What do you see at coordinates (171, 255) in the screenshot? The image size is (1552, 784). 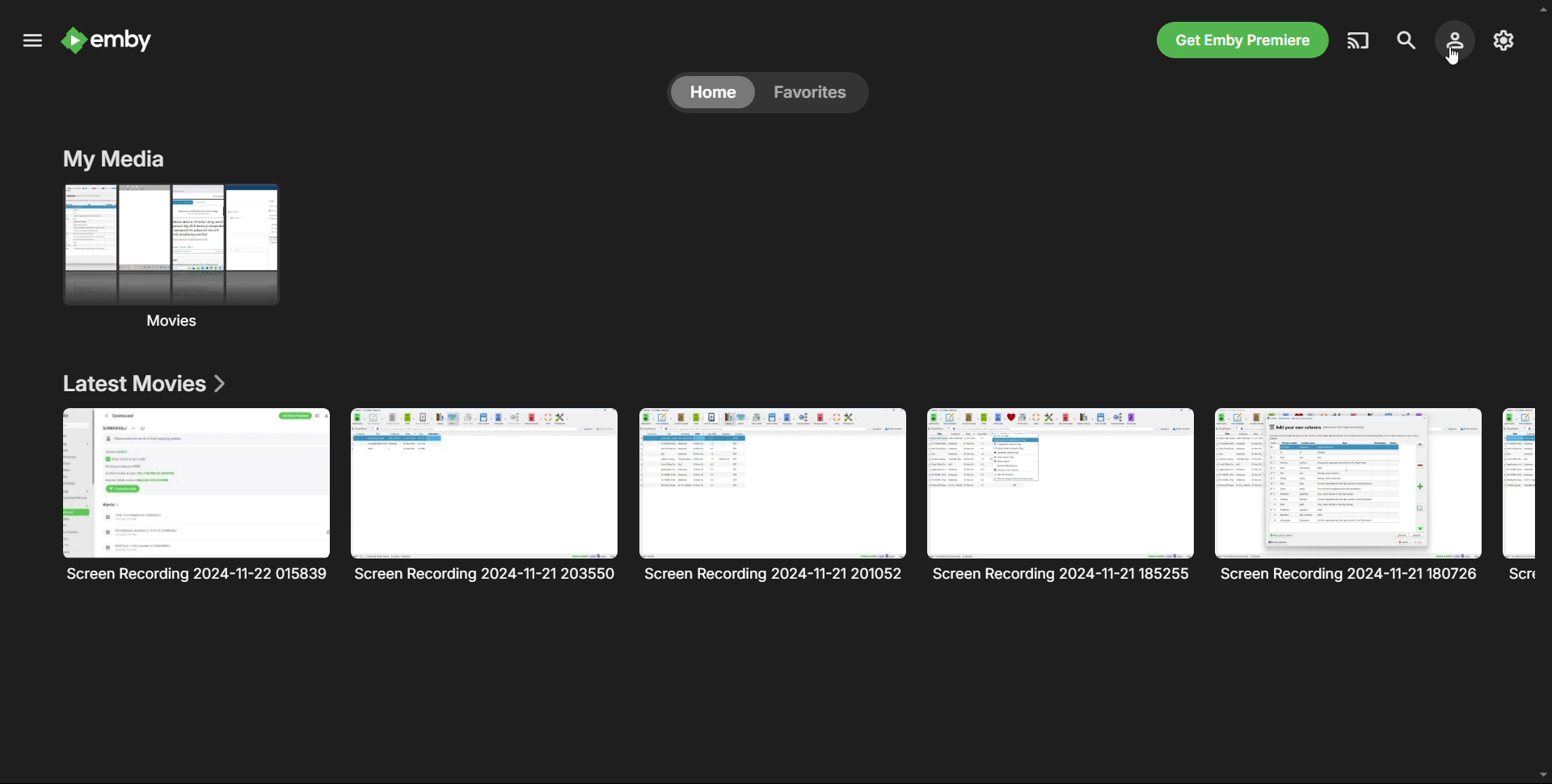 I see `movies folder` at bounding box center [171, 255].